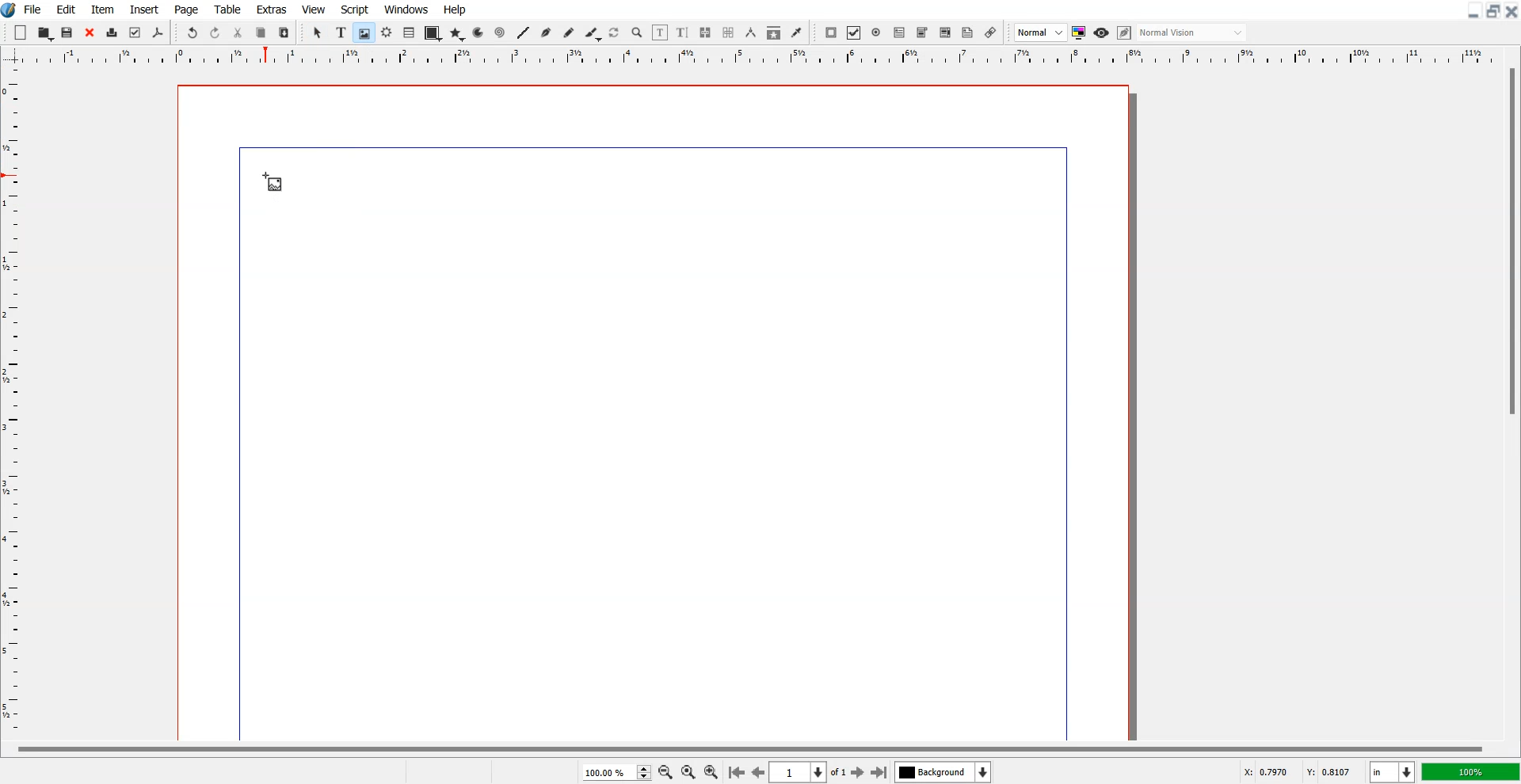  I want to click on Page, so click(188, 9).